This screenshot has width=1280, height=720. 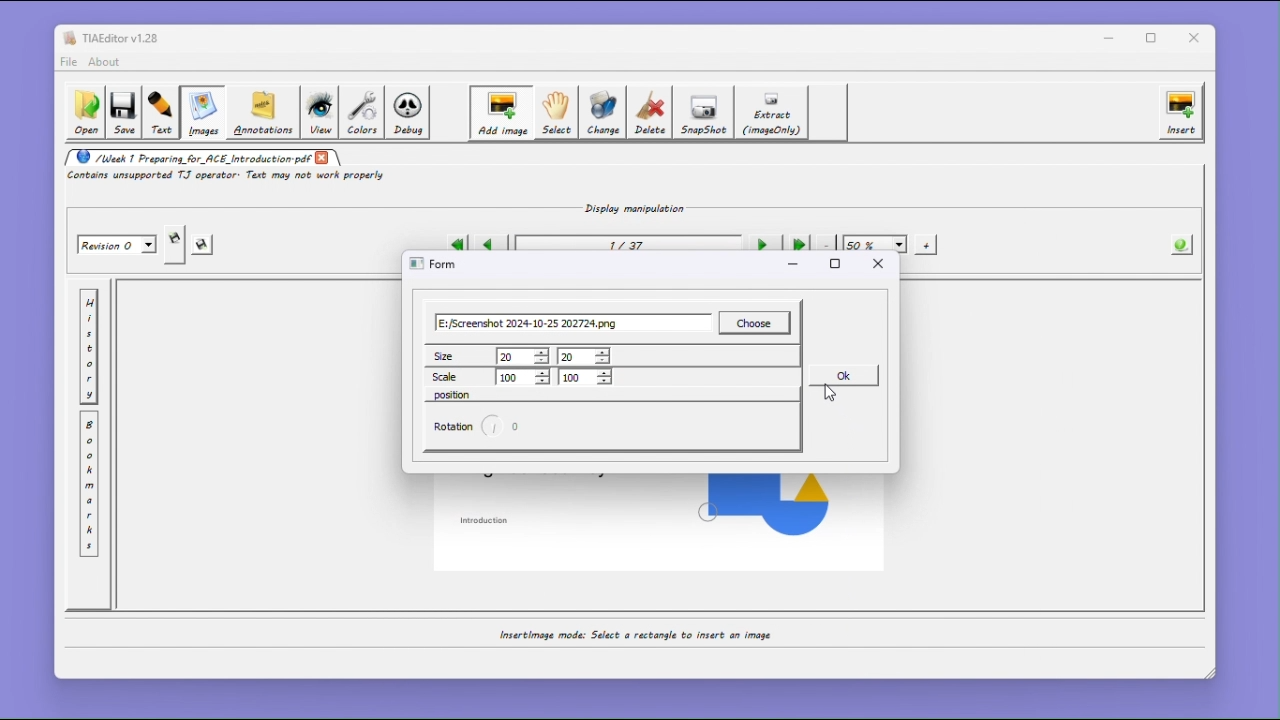 I want to click on First page, so click(x=456, y=245).